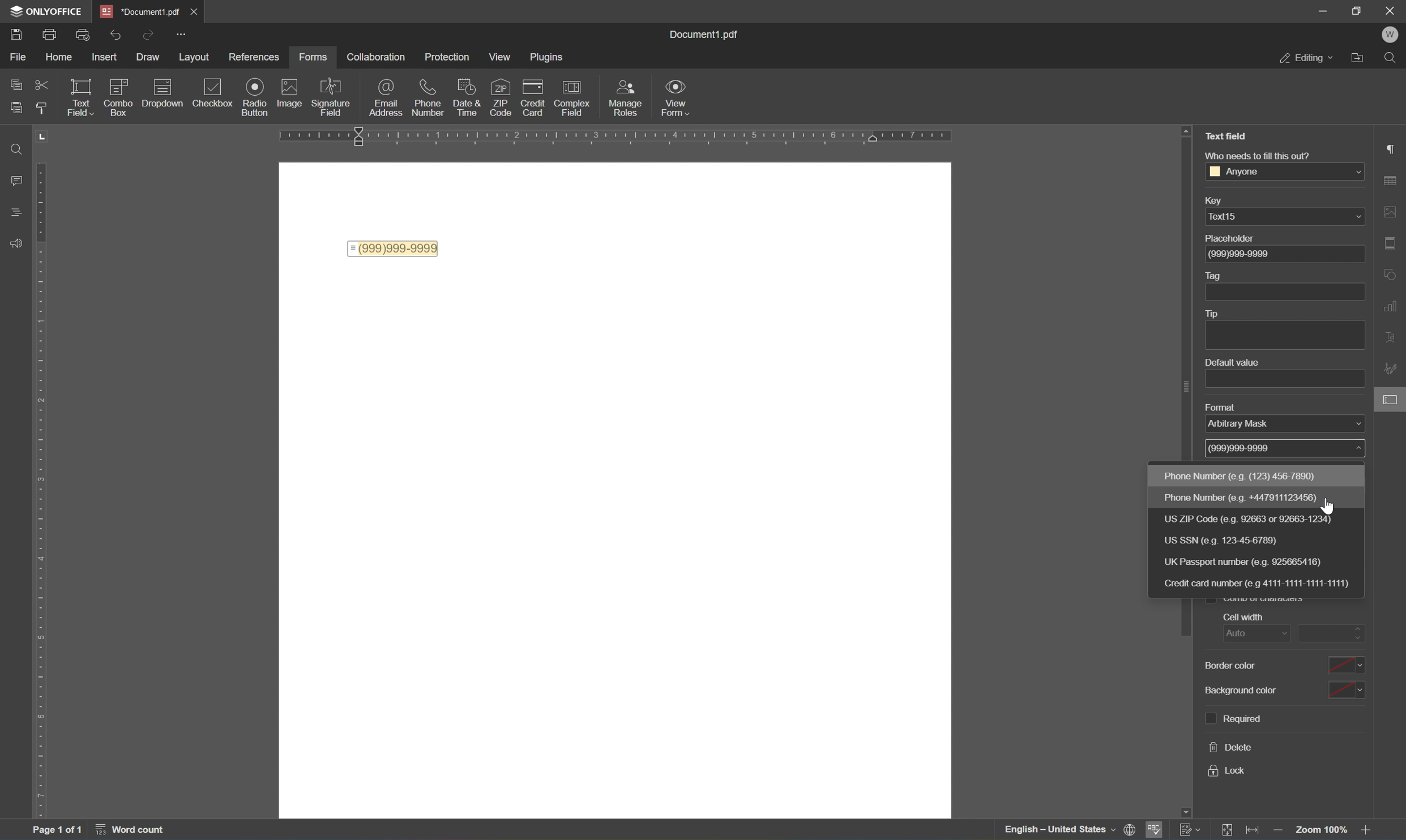 The height and width of the screenshot is (840, 1406). What do you see at coordinates (1257, 156) in the screenshot?
I see `who needs to fill this out?` at bounding box center [1257, 156].